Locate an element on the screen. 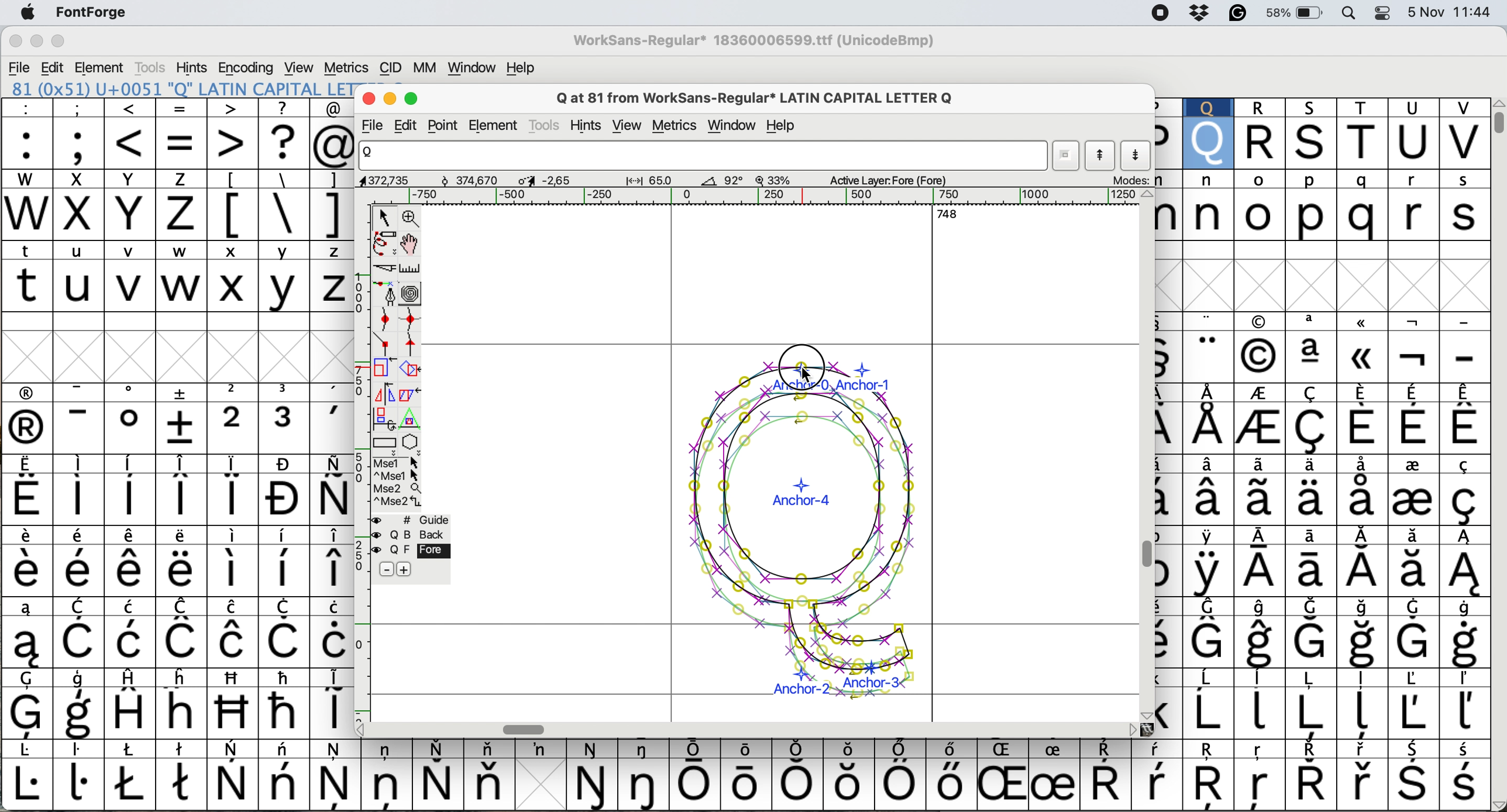 Image resolution: width=1507 pixels, height=812 pixels. rotate the image in 3d and project back to plane is located at coordinates (383, 420).